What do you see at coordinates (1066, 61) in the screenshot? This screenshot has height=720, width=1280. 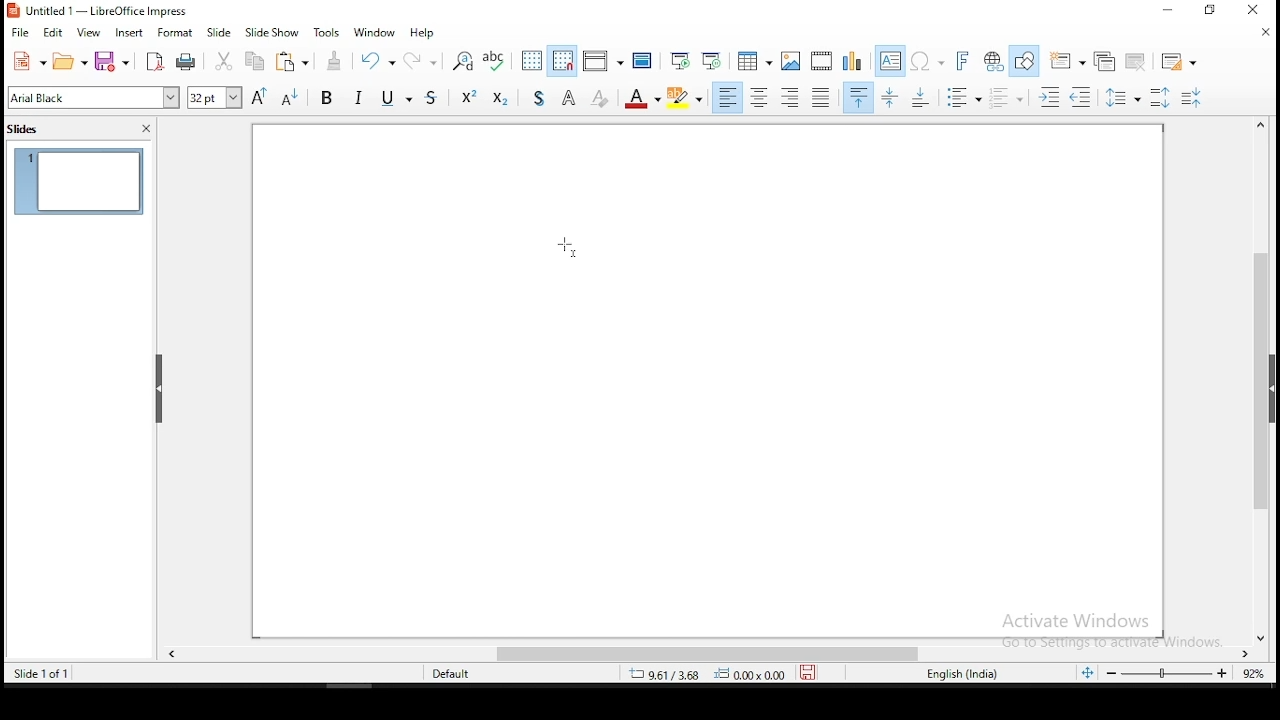 I see `new slide` at bounding box center [1066, 61].